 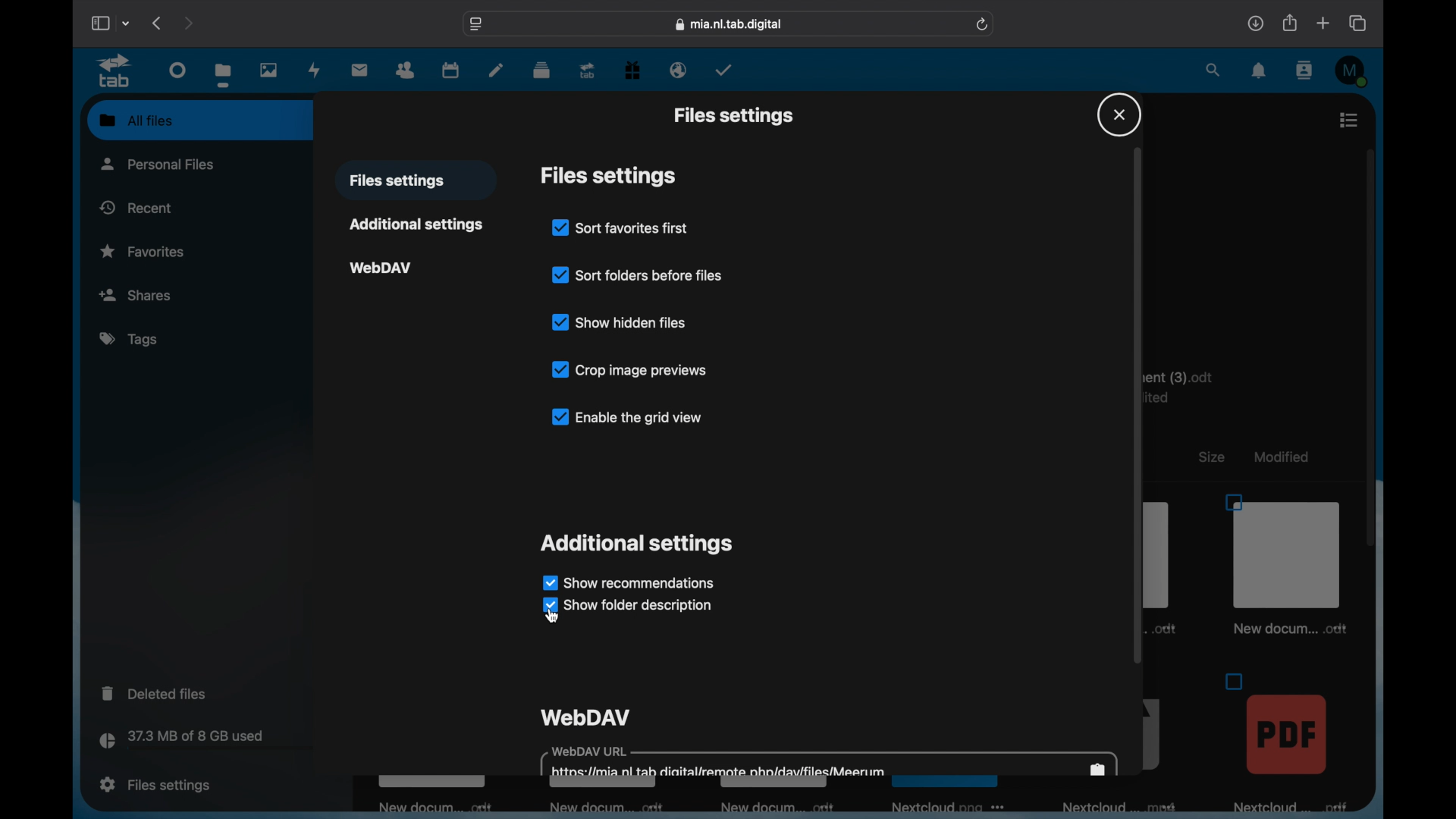 I want to click on nextcloud, so click(x=1124, y=808).